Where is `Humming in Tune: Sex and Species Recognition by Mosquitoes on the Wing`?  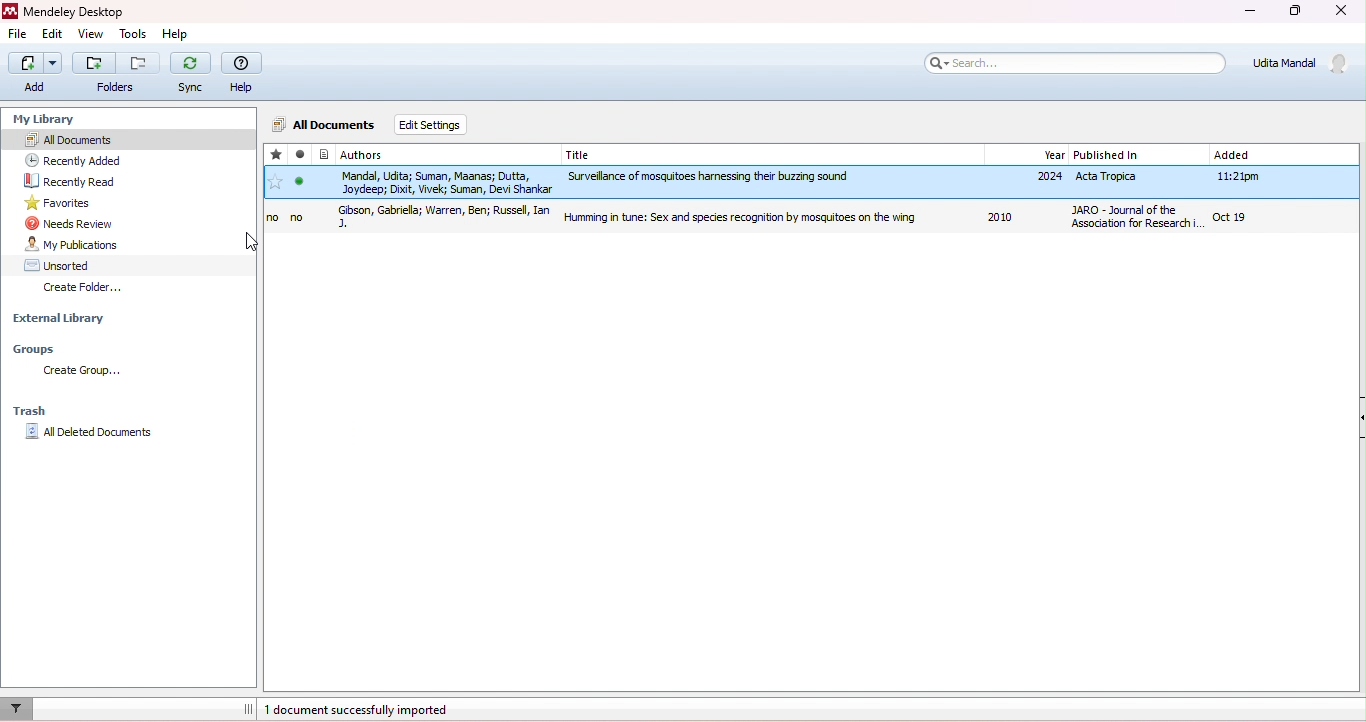
Humming in Tune: Sex and Species Recognition by Mosquitoes on the Wing is located at coordinates (750, 216).